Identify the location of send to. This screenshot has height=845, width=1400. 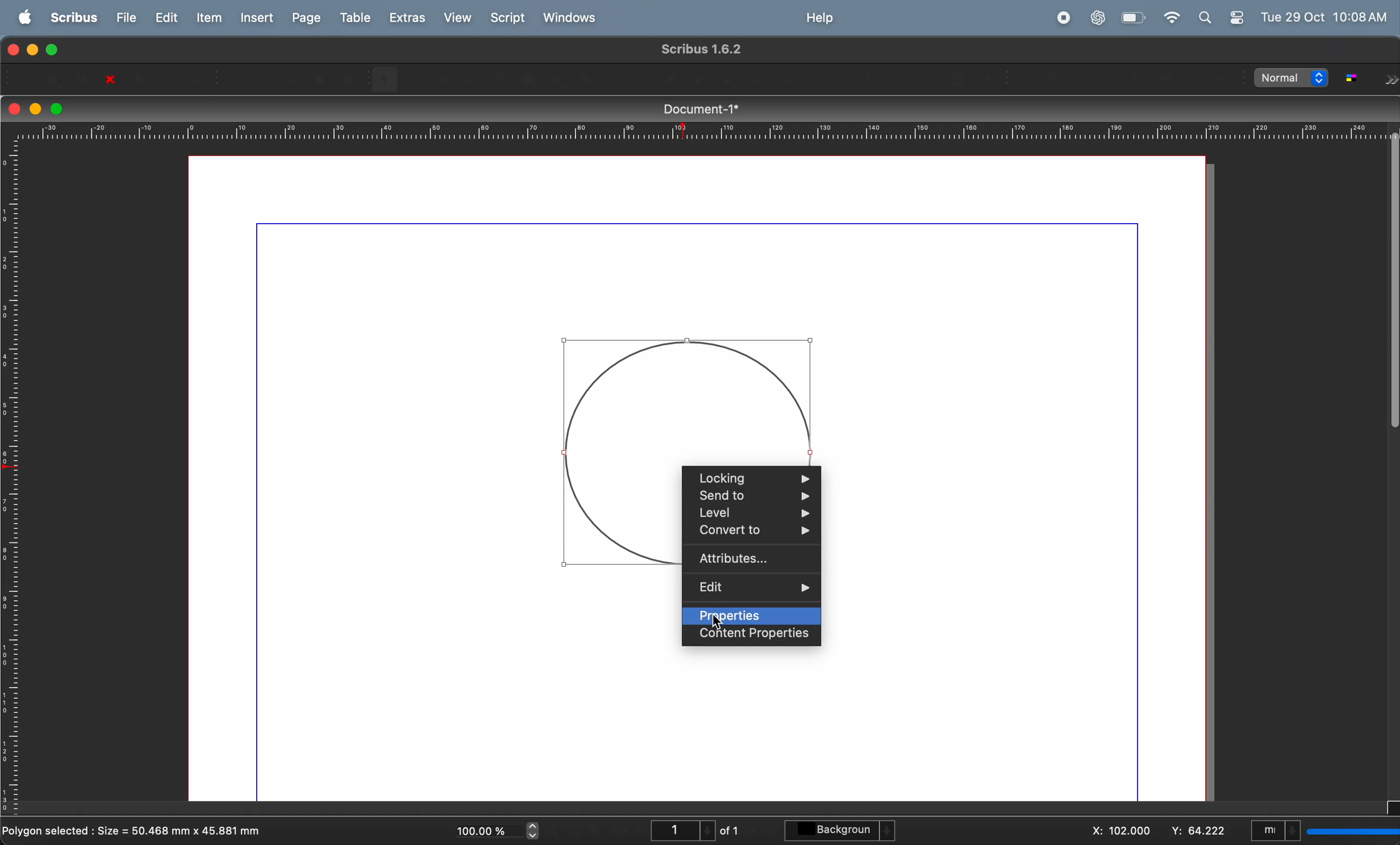
(752, 496).